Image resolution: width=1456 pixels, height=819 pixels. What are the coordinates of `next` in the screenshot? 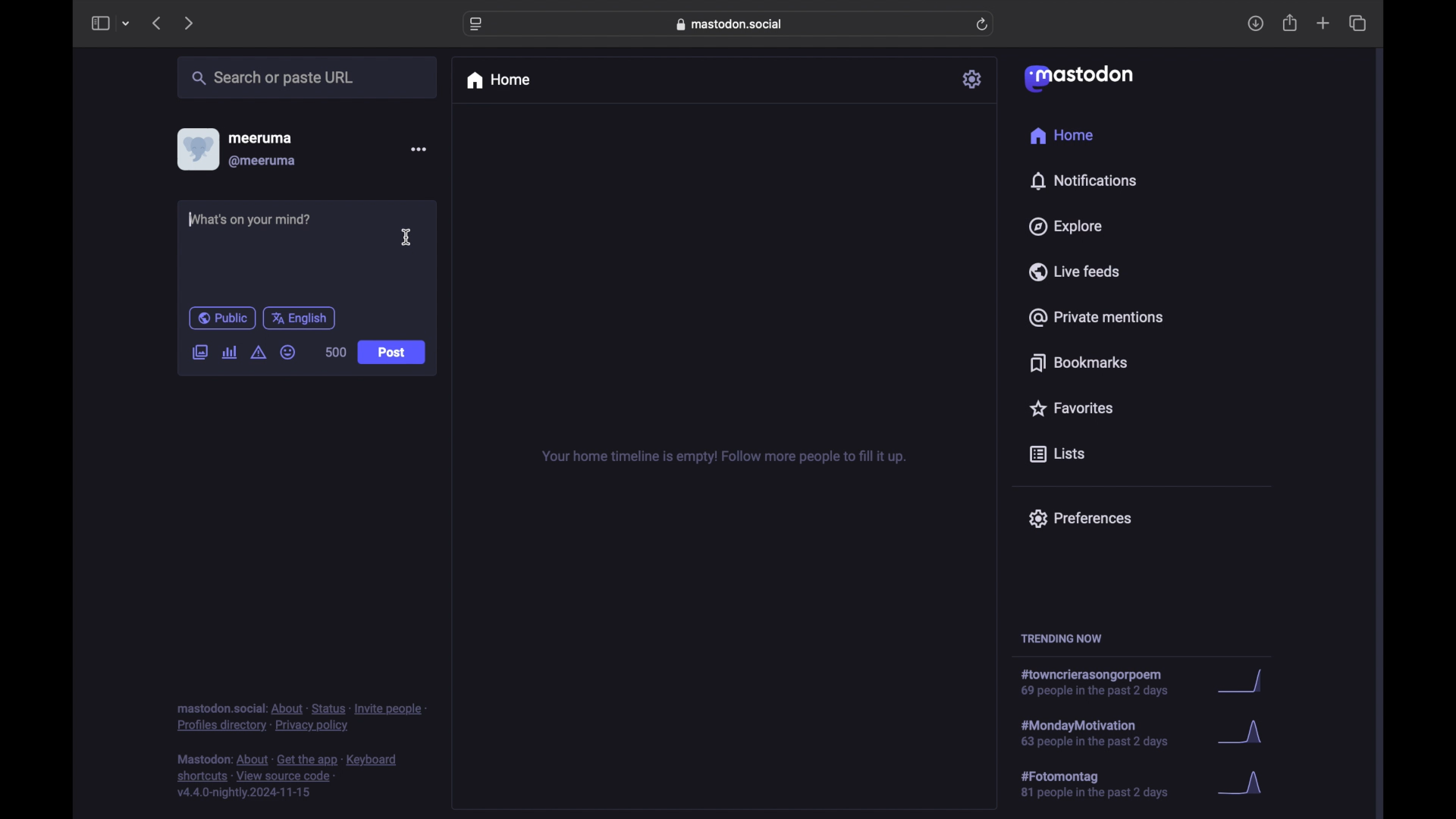 It's located at (190, 23).